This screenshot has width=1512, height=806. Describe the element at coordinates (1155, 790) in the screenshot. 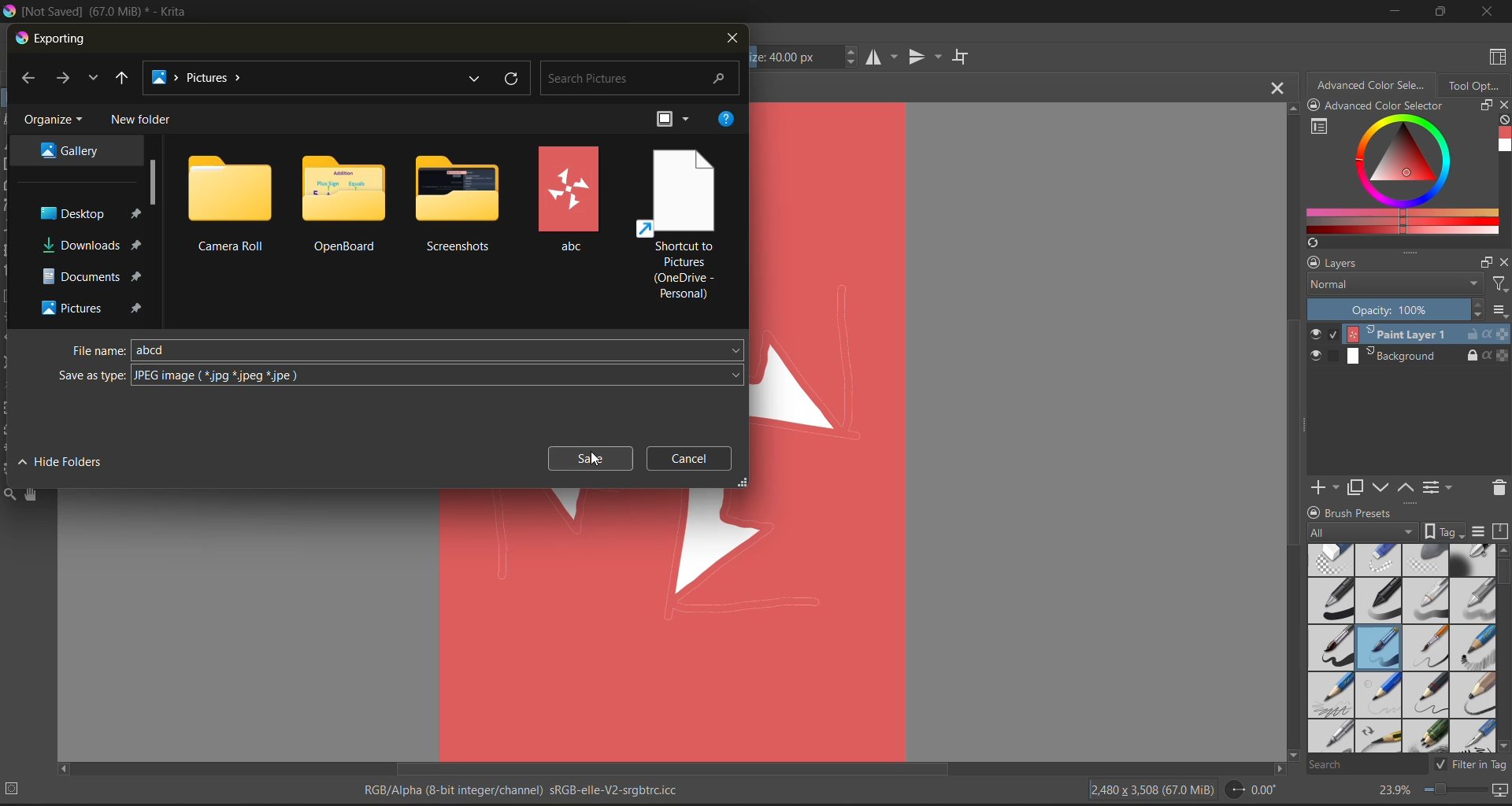

I see `image description` at that location.